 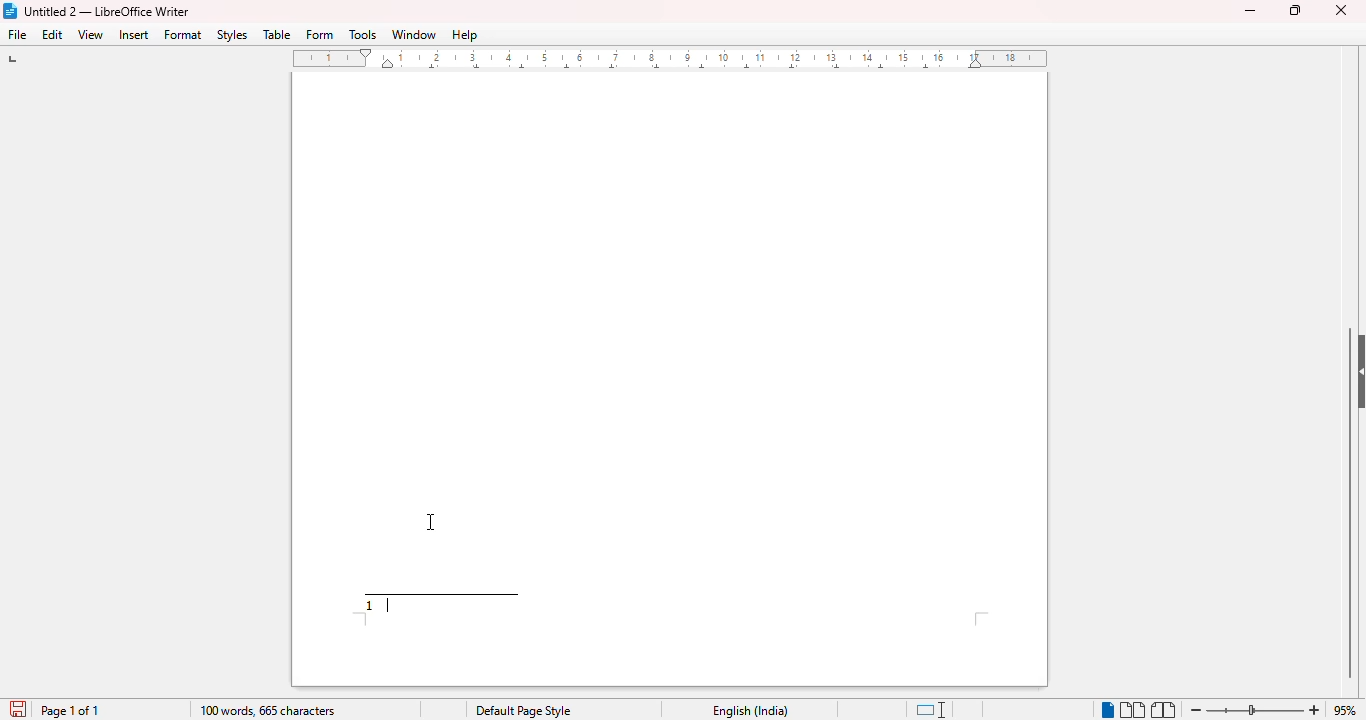 What do you see at coordinates (271, 710) in the screenshot?
I see `100 words, 665 characters` at bounding box center [271, 710].